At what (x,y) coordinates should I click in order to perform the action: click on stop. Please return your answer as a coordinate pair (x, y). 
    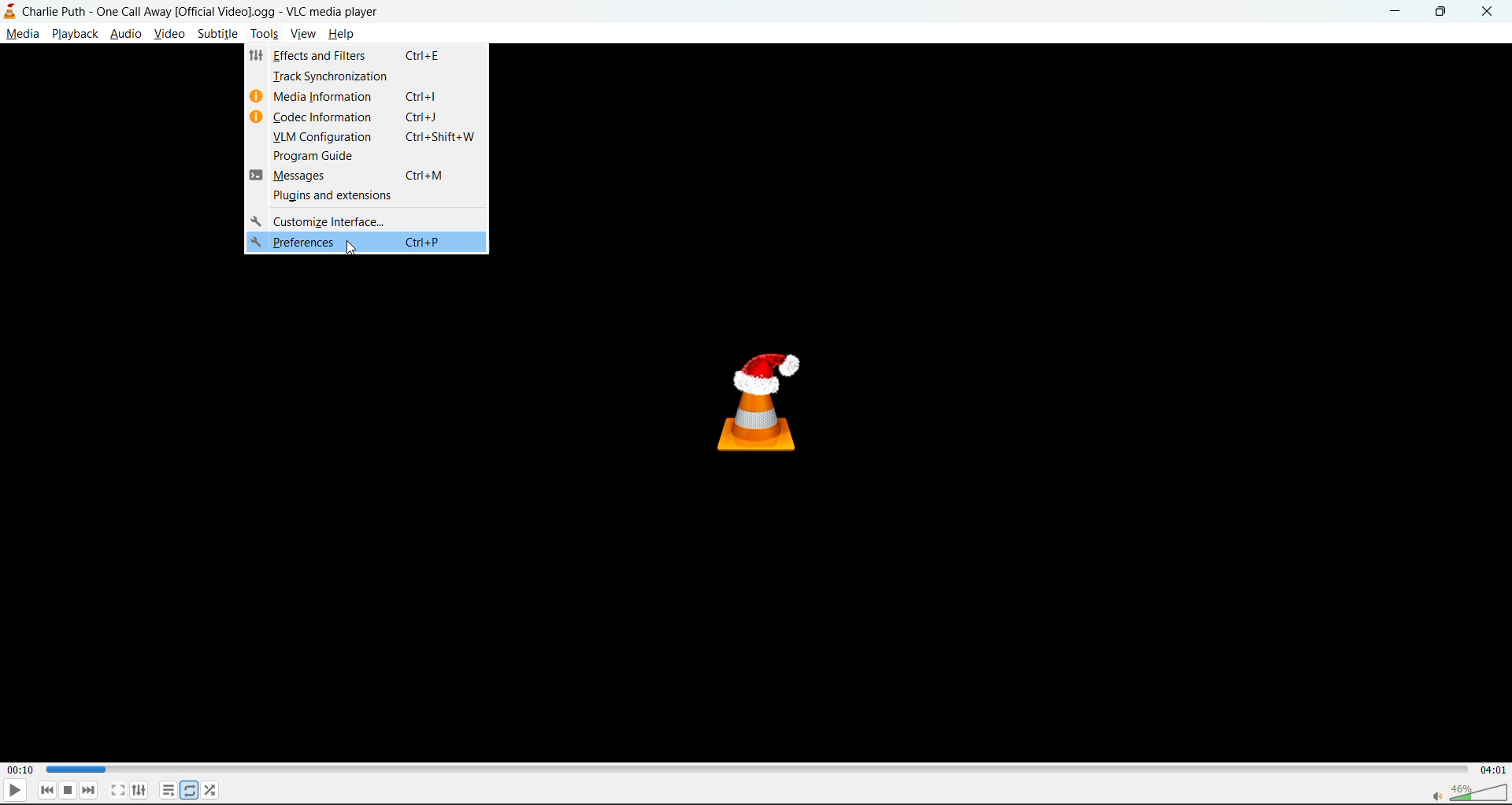
    Looking at the image, I should click on (70, 791).